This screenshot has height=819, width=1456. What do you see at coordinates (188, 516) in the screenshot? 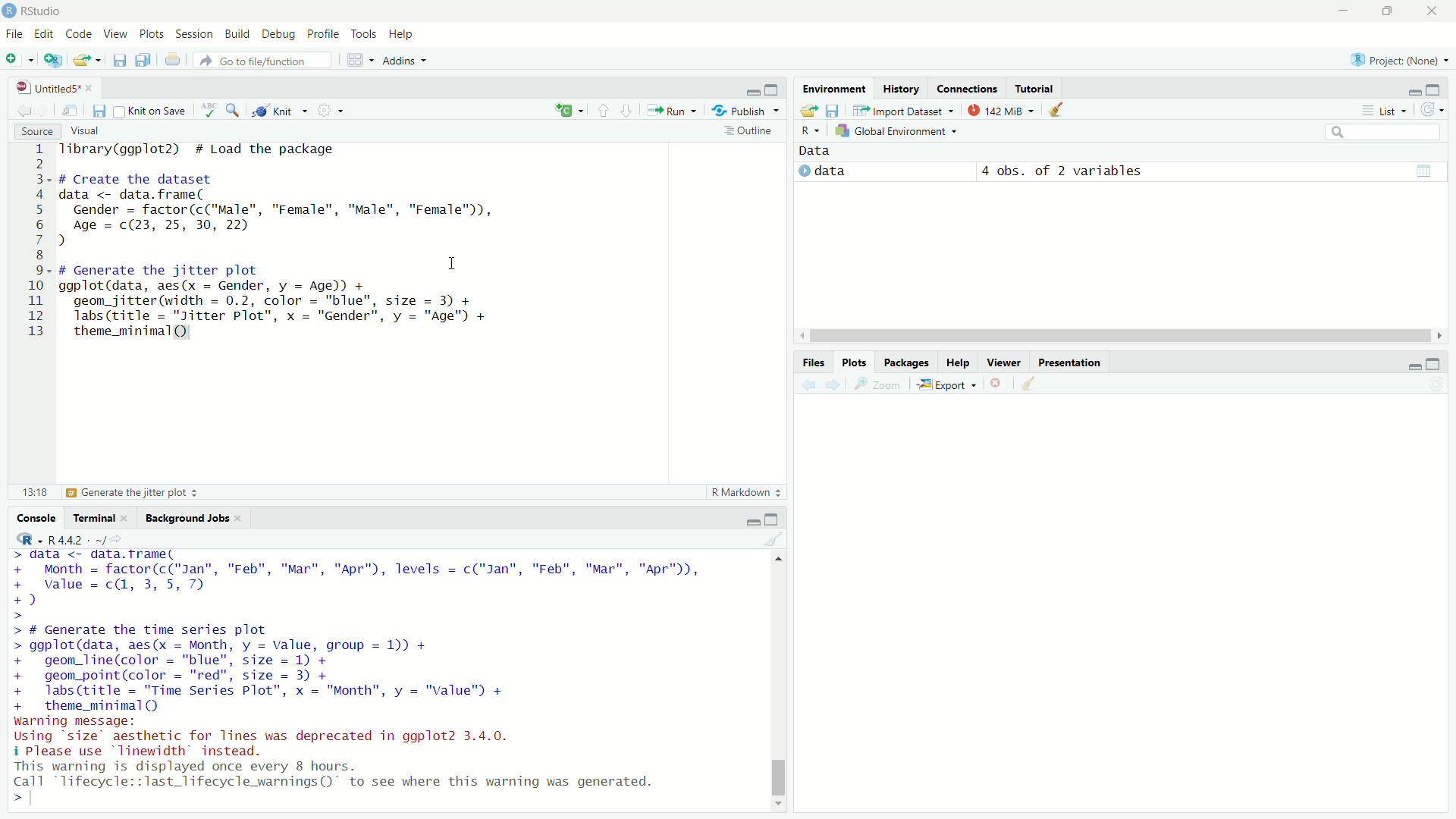
I see `background jobs` at bounding box center [188, 516].